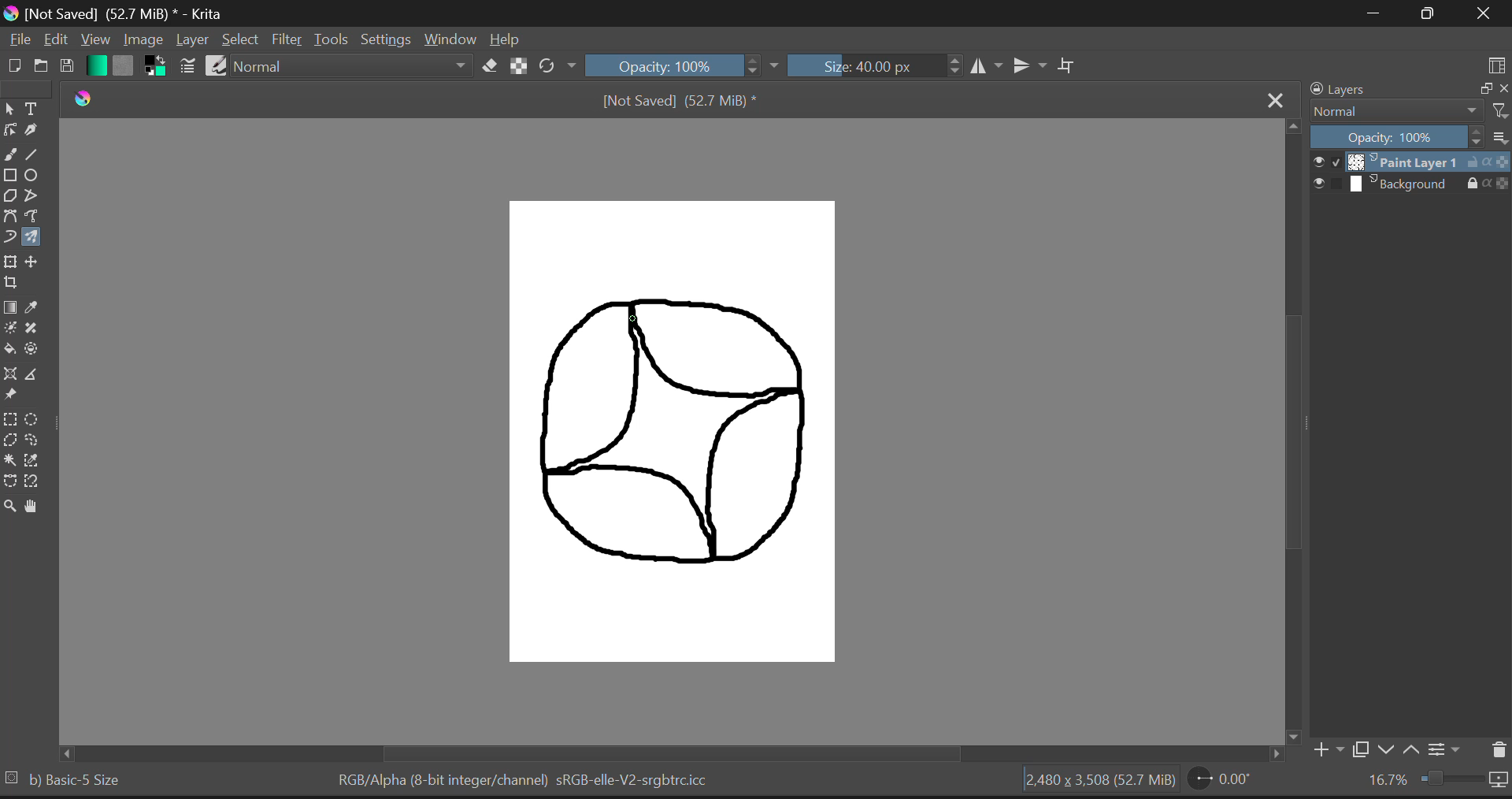 The width and height of the screenshot is (1512, 799). Describe the element at coordinates (658, 754) in the screenshot. I see `Scroll Bar` at that location.